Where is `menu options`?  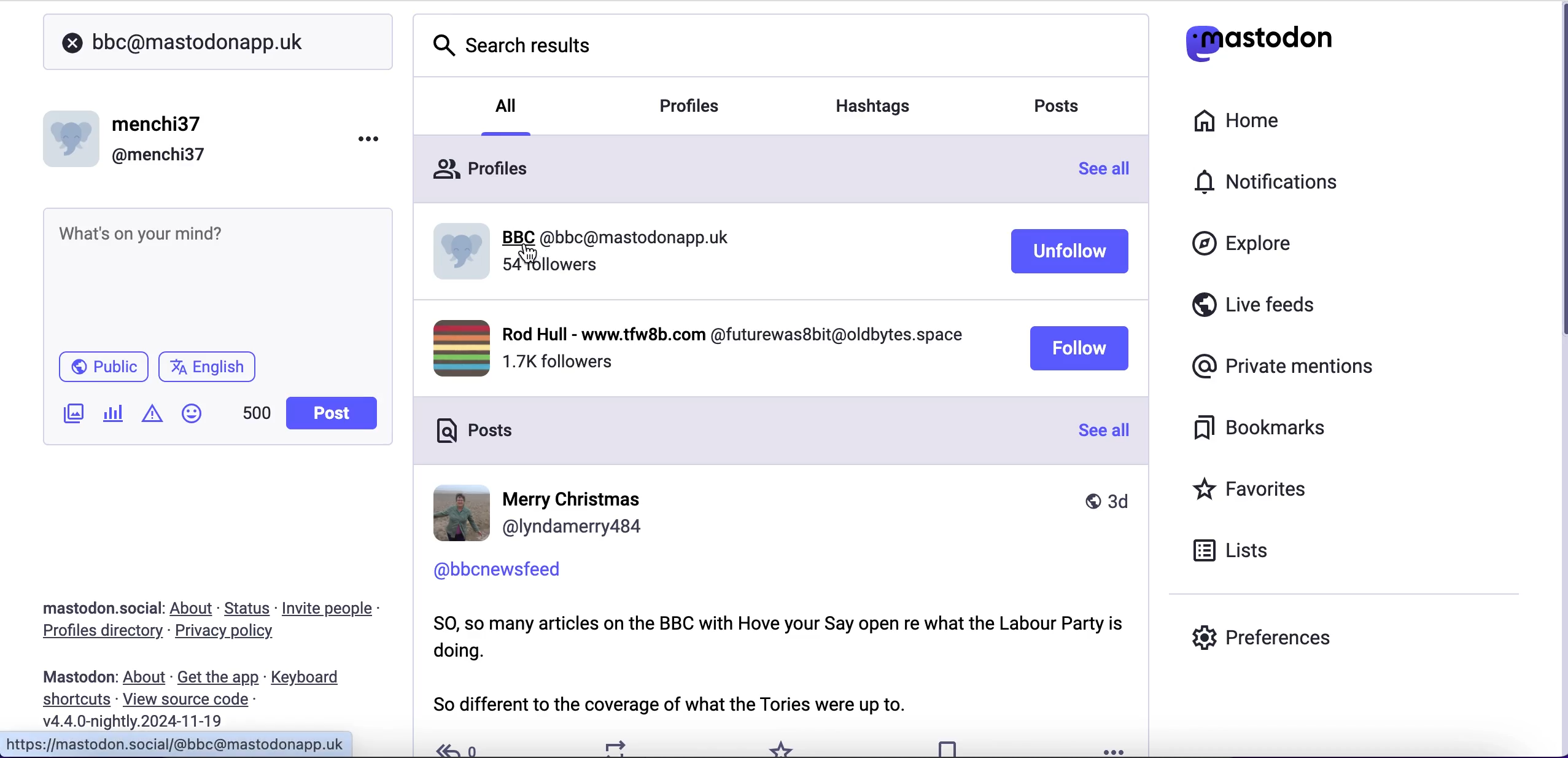
menu options is located at coordinates (373, 138).